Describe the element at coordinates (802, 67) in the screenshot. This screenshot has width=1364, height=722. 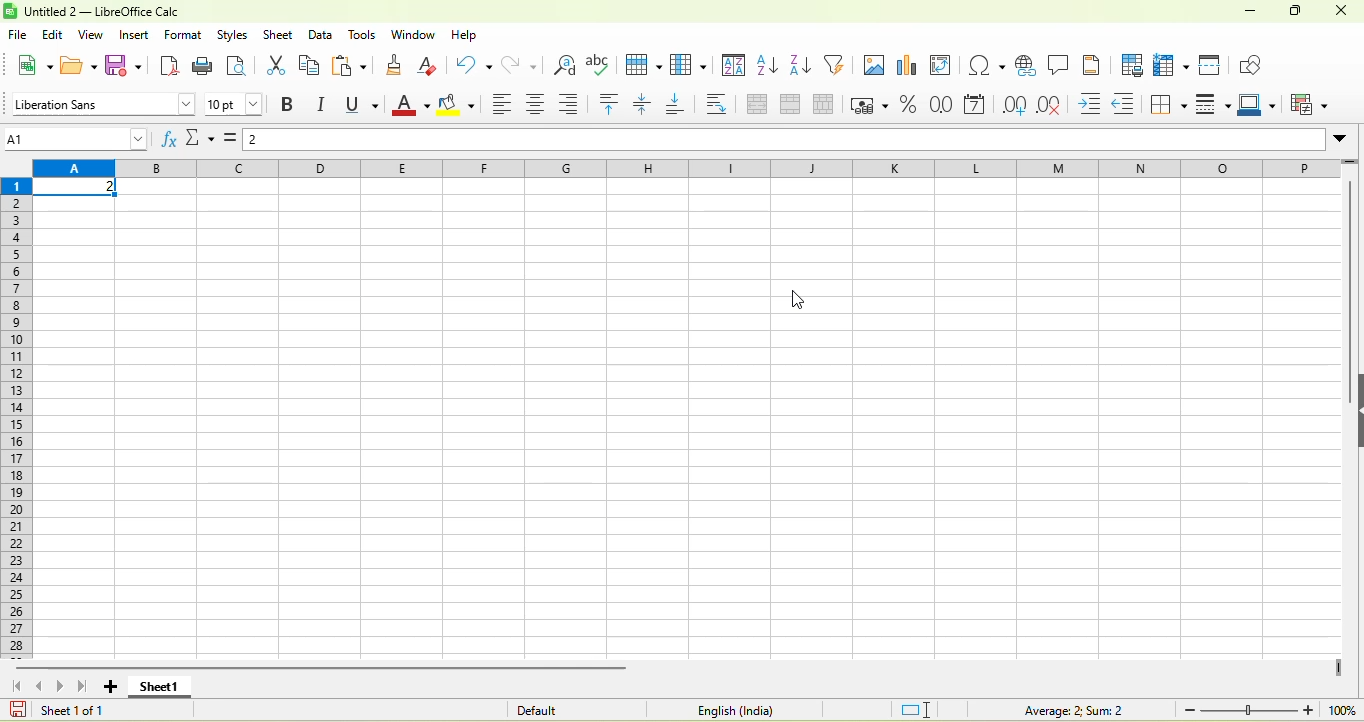
I see `sort descending` at that location.